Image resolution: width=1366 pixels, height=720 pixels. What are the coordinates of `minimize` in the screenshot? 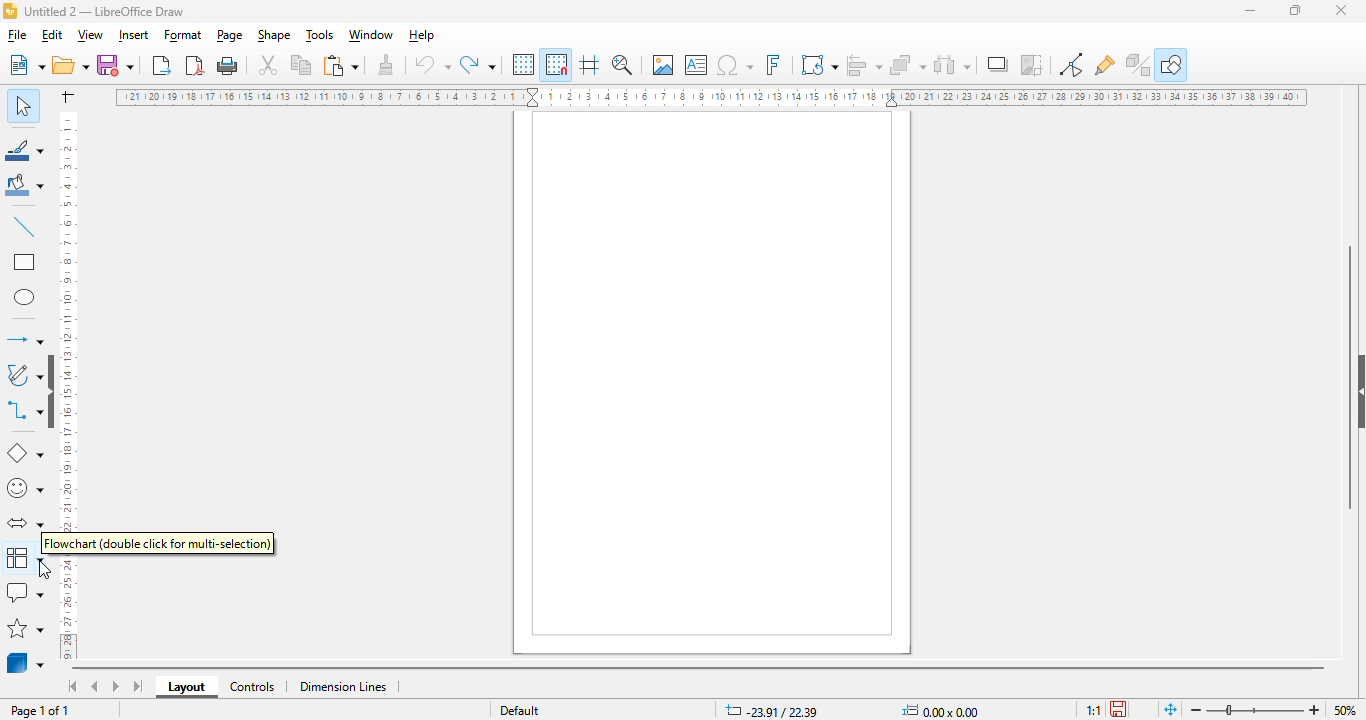 It's located at (1250, 10).